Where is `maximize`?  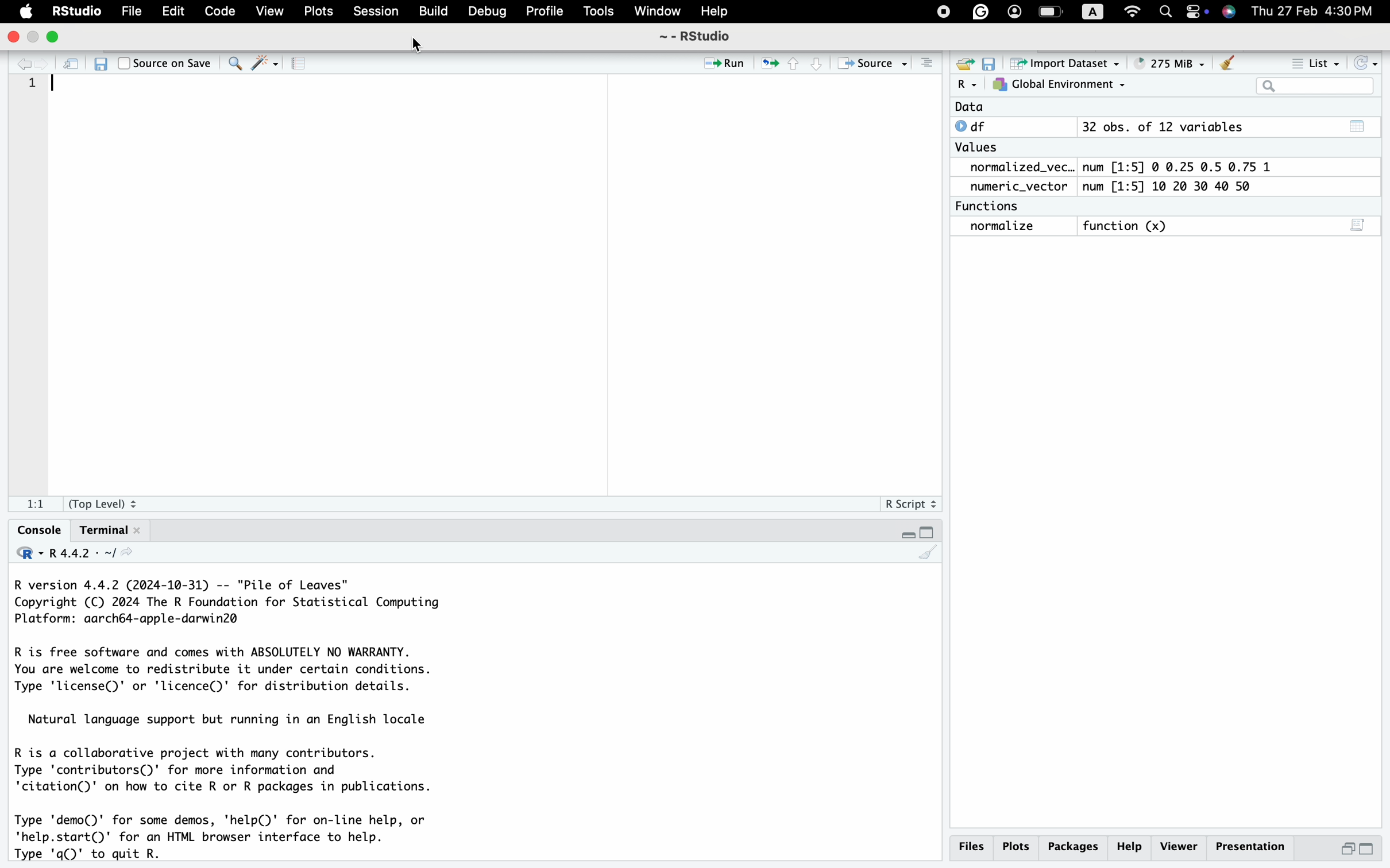 maximize is located at coordinates (1374, 850).